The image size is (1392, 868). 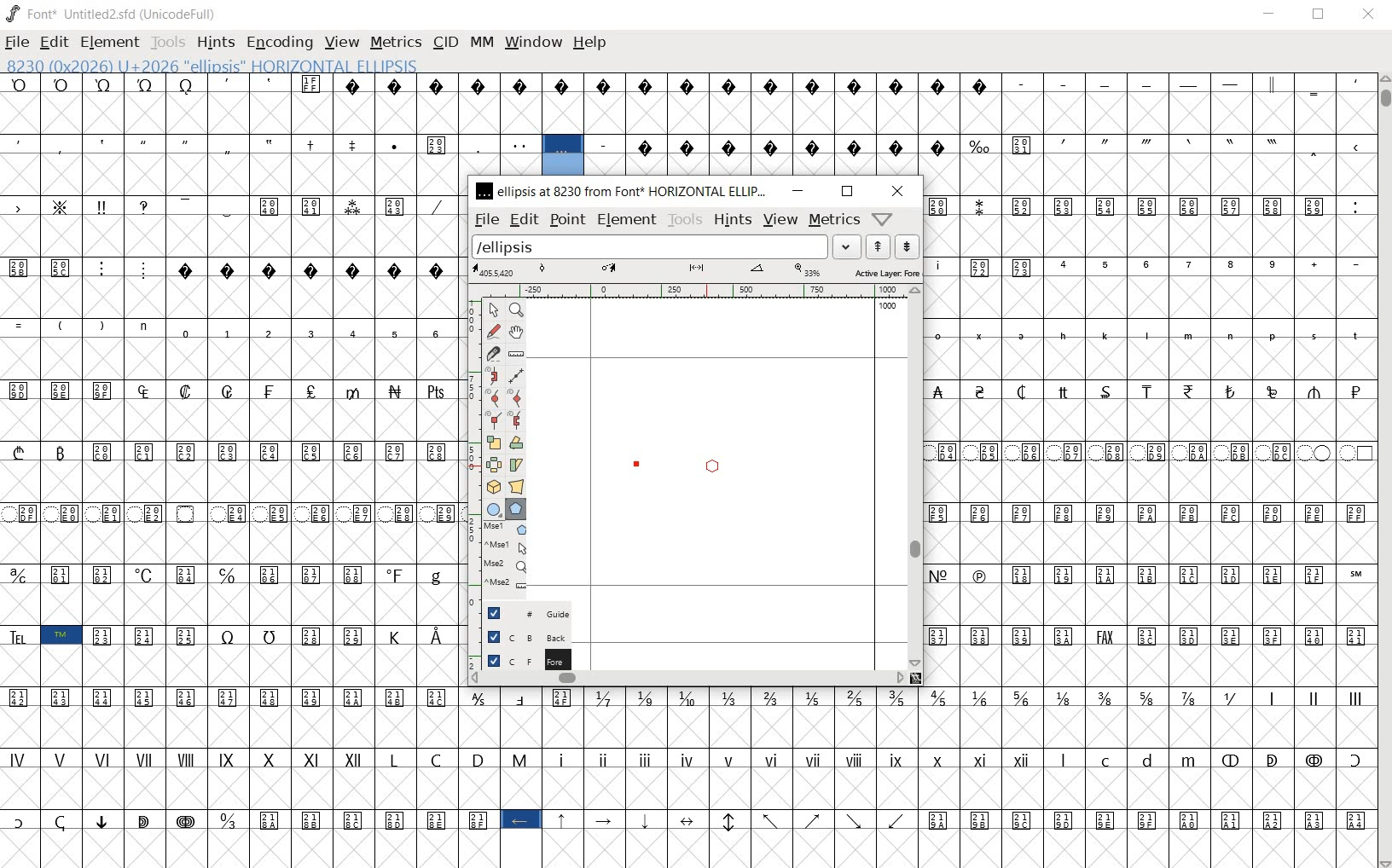 I want to click on cut splines in two, so click(x=494, y=354).